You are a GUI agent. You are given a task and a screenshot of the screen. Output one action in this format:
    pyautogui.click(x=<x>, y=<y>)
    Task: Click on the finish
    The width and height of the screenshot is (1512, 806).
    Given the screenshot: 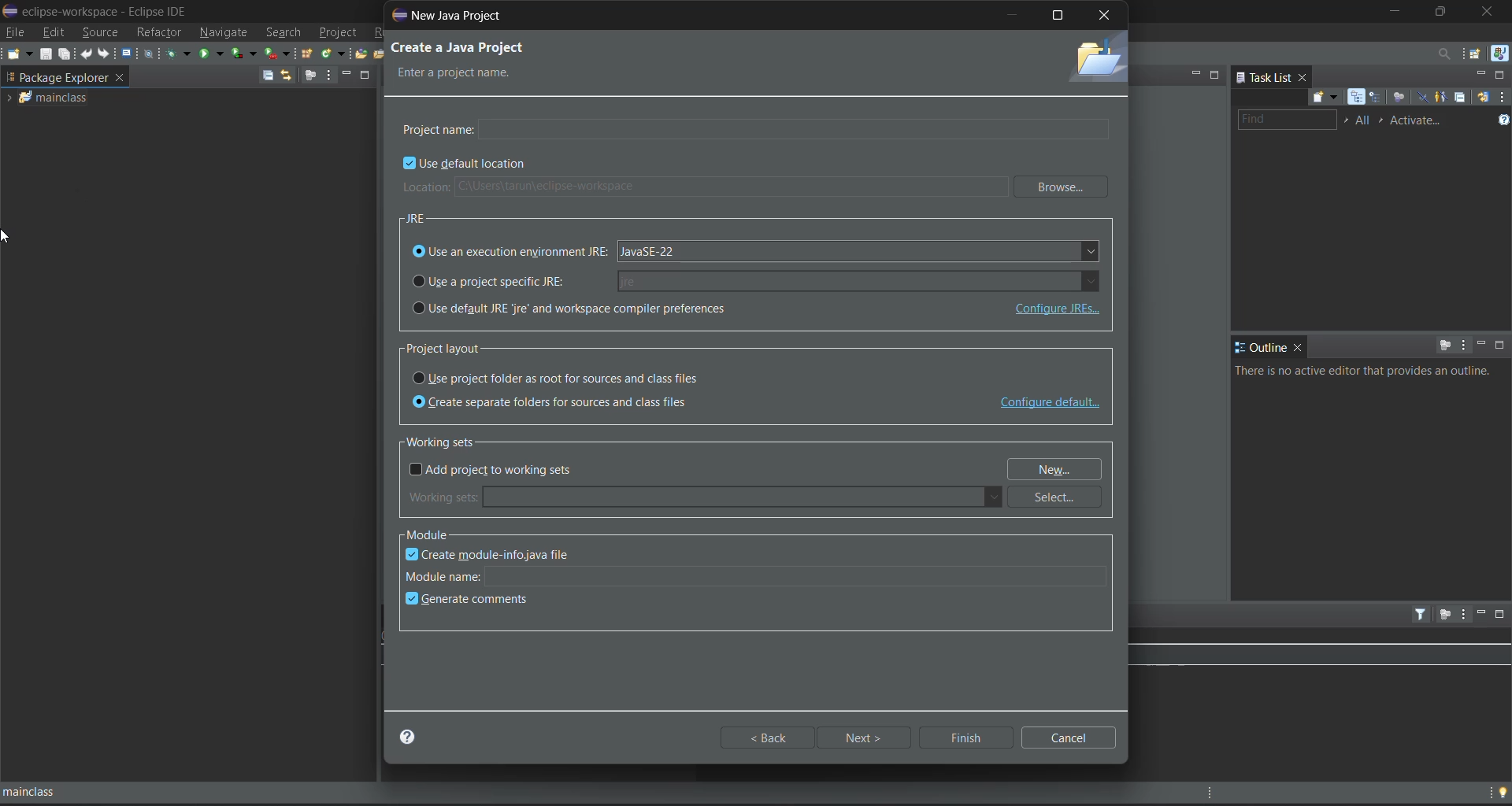 What is the action you would take?
    pyautogui.click(x=963, y=736)
    